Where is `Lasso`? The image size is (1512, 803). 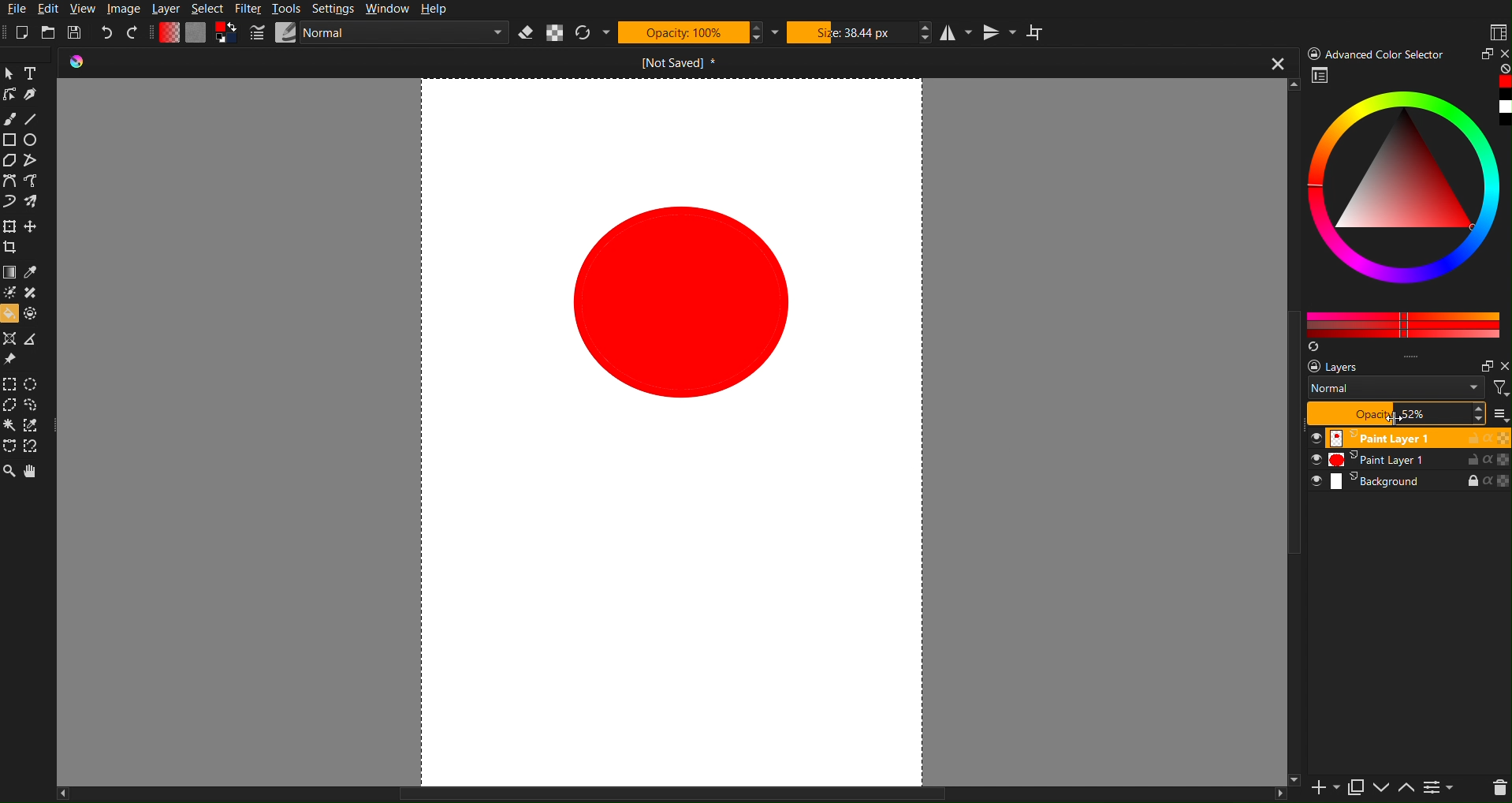 Lasso is located at coordinates (34, 405).